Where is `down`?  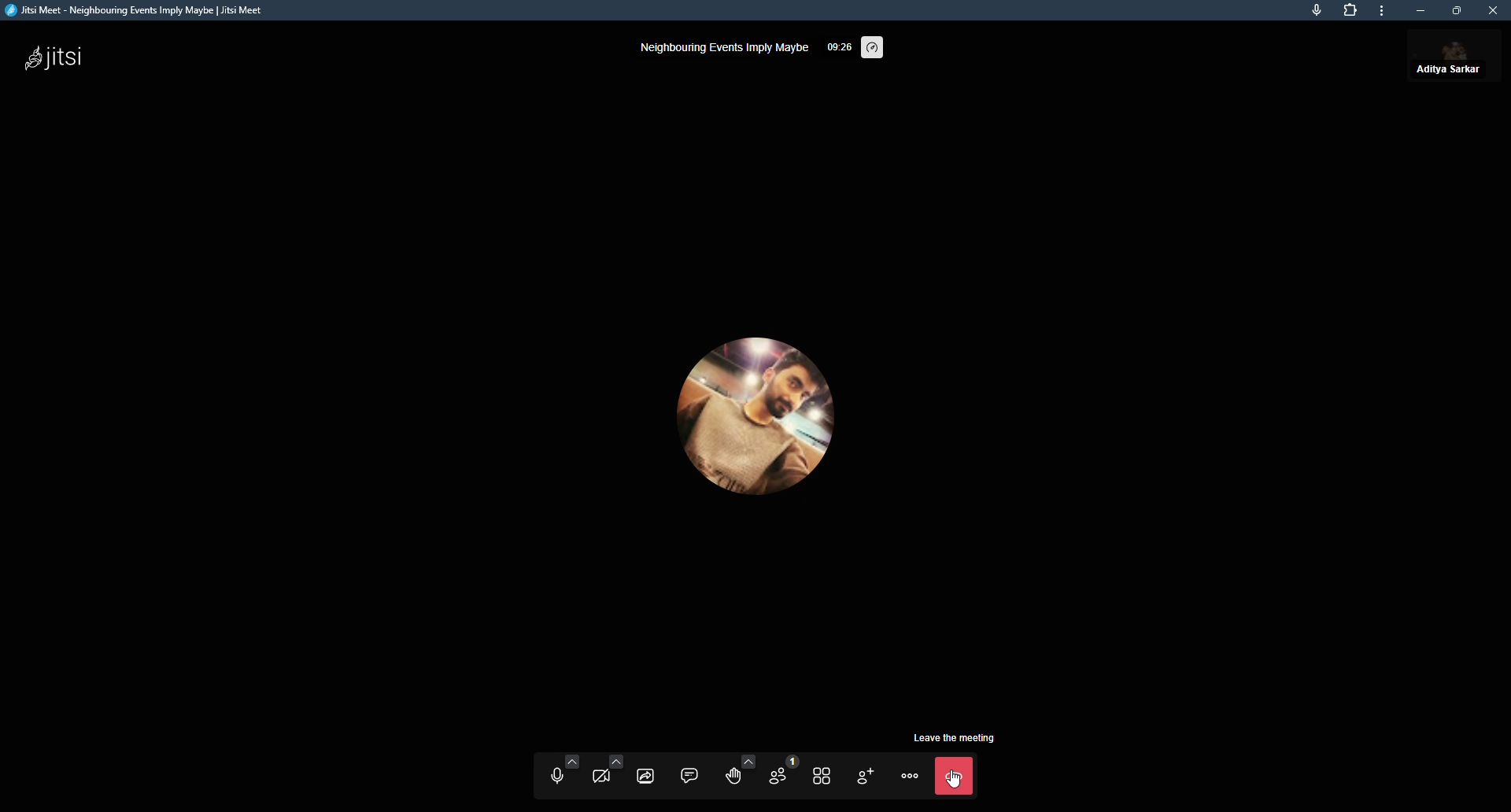 down is located at coordinates (1424, 12).